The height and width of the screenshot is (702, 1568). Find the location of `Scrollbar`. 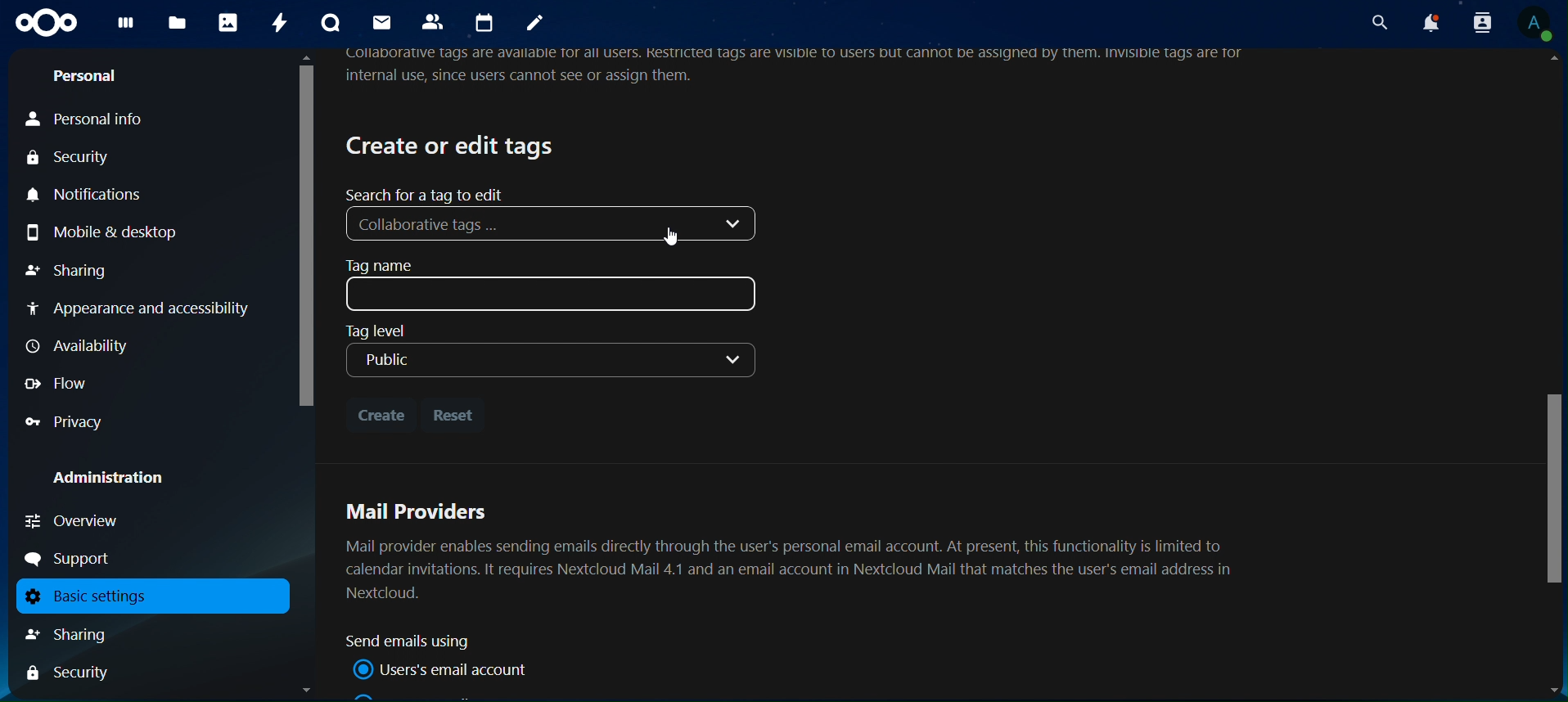

Scrollbar is located at coordinates (304, 374).